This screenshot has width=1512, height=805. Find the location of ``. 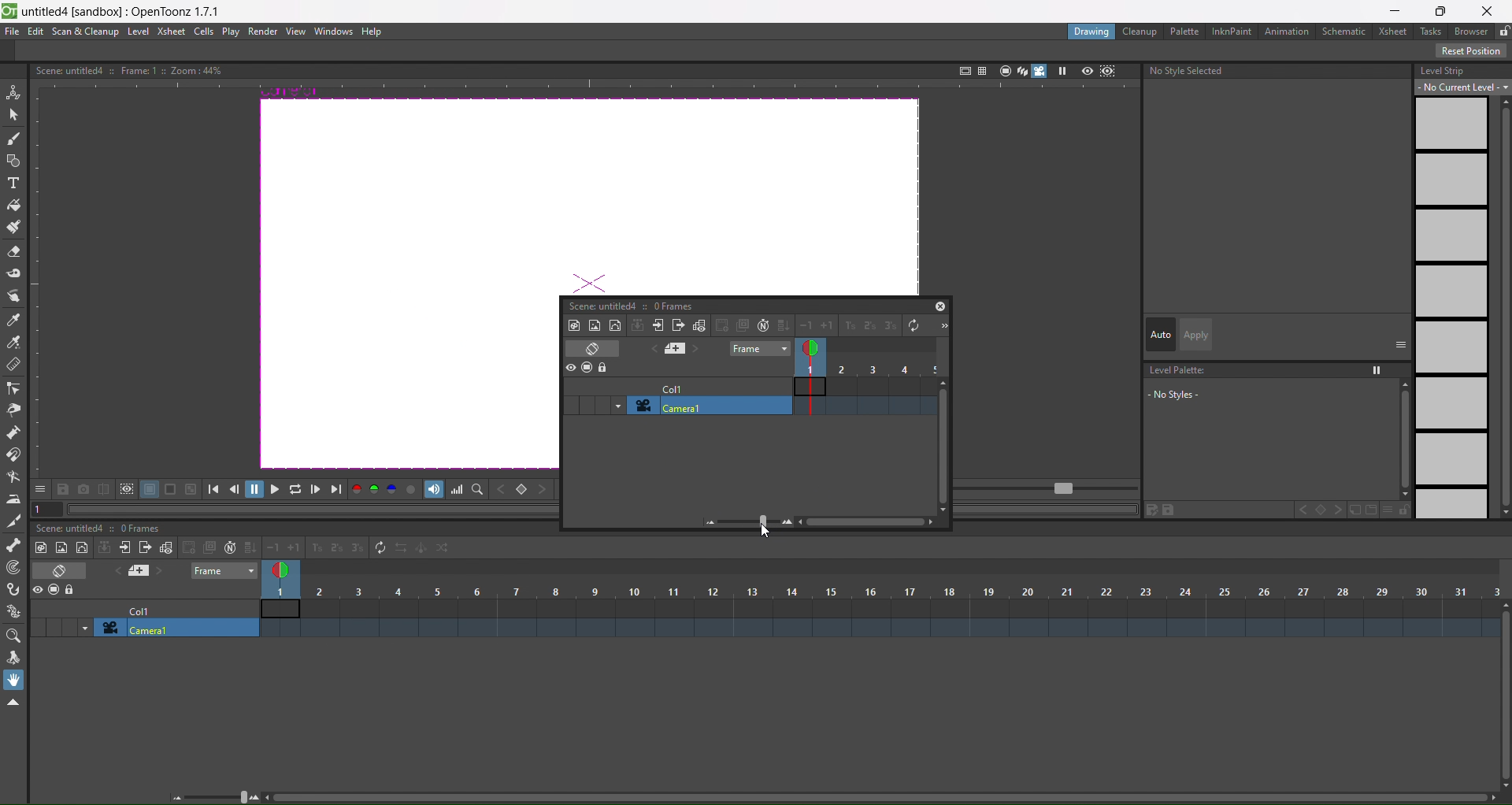

 is located at coordinates (14, 658).